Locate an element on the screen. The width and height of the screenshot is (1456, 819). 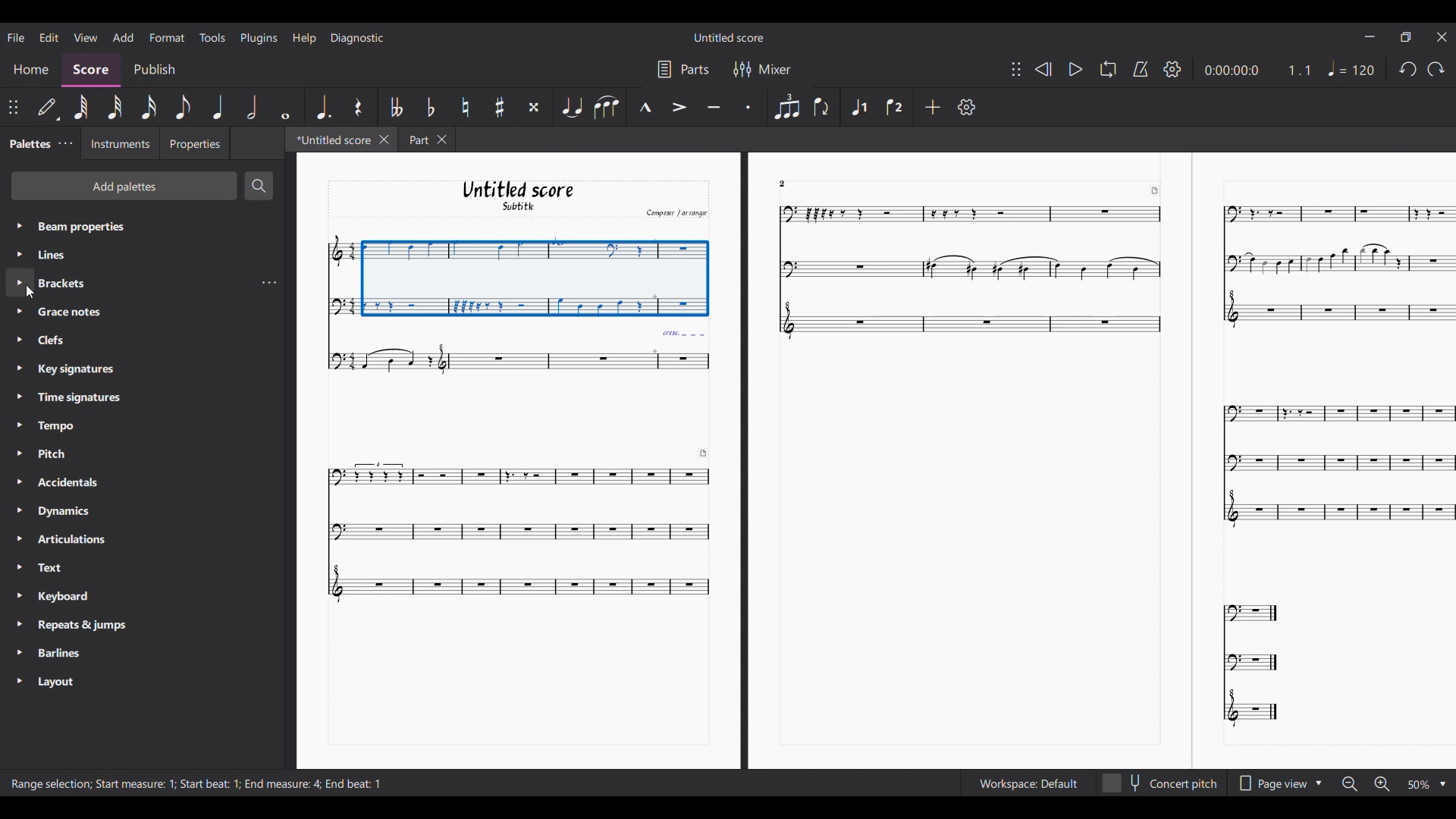
 is located at coordinates (21, 428).